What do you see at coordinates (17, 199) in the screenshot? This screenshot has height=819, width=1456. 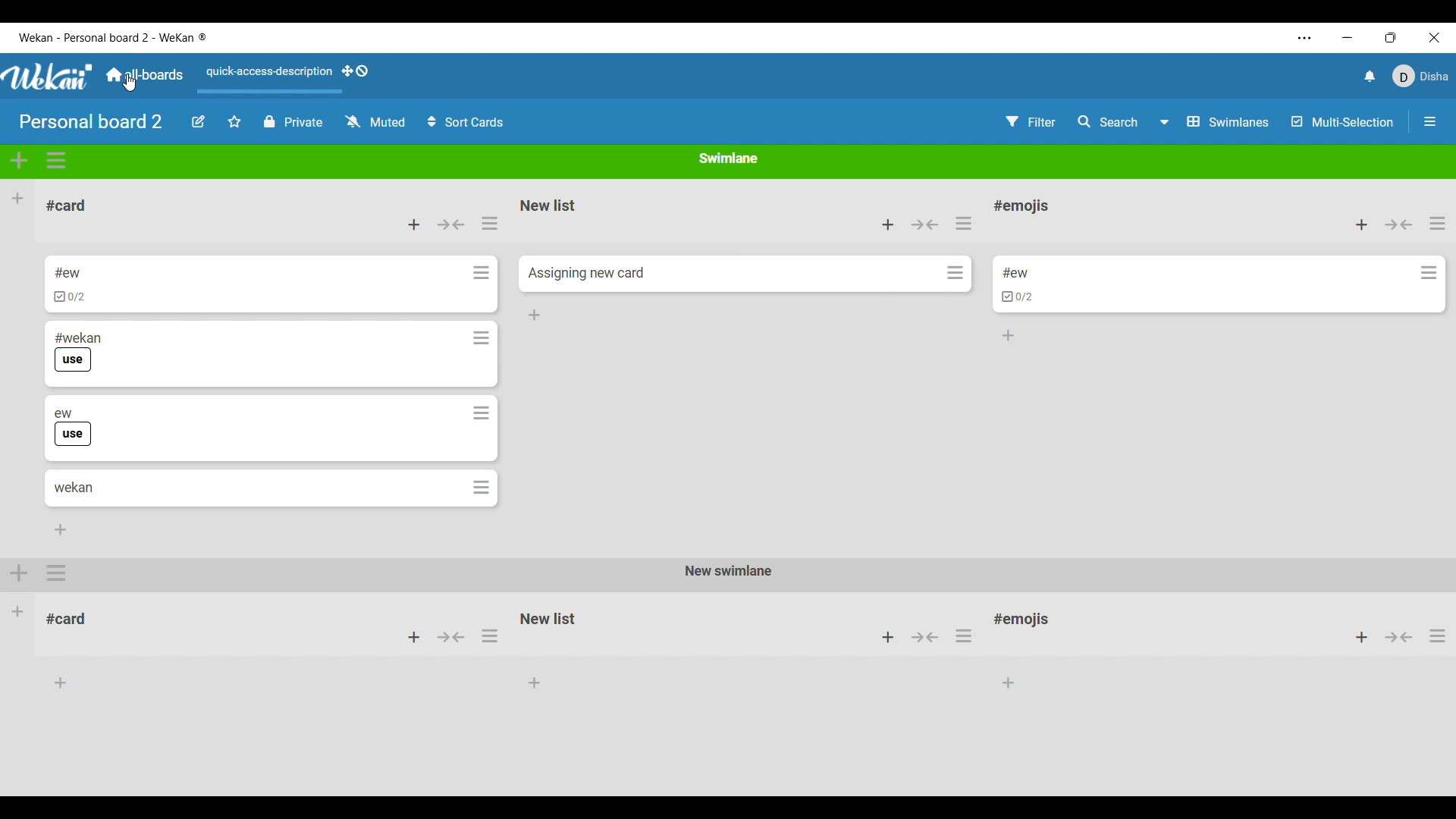 I see `Add list` at bounding box center [17, 199].